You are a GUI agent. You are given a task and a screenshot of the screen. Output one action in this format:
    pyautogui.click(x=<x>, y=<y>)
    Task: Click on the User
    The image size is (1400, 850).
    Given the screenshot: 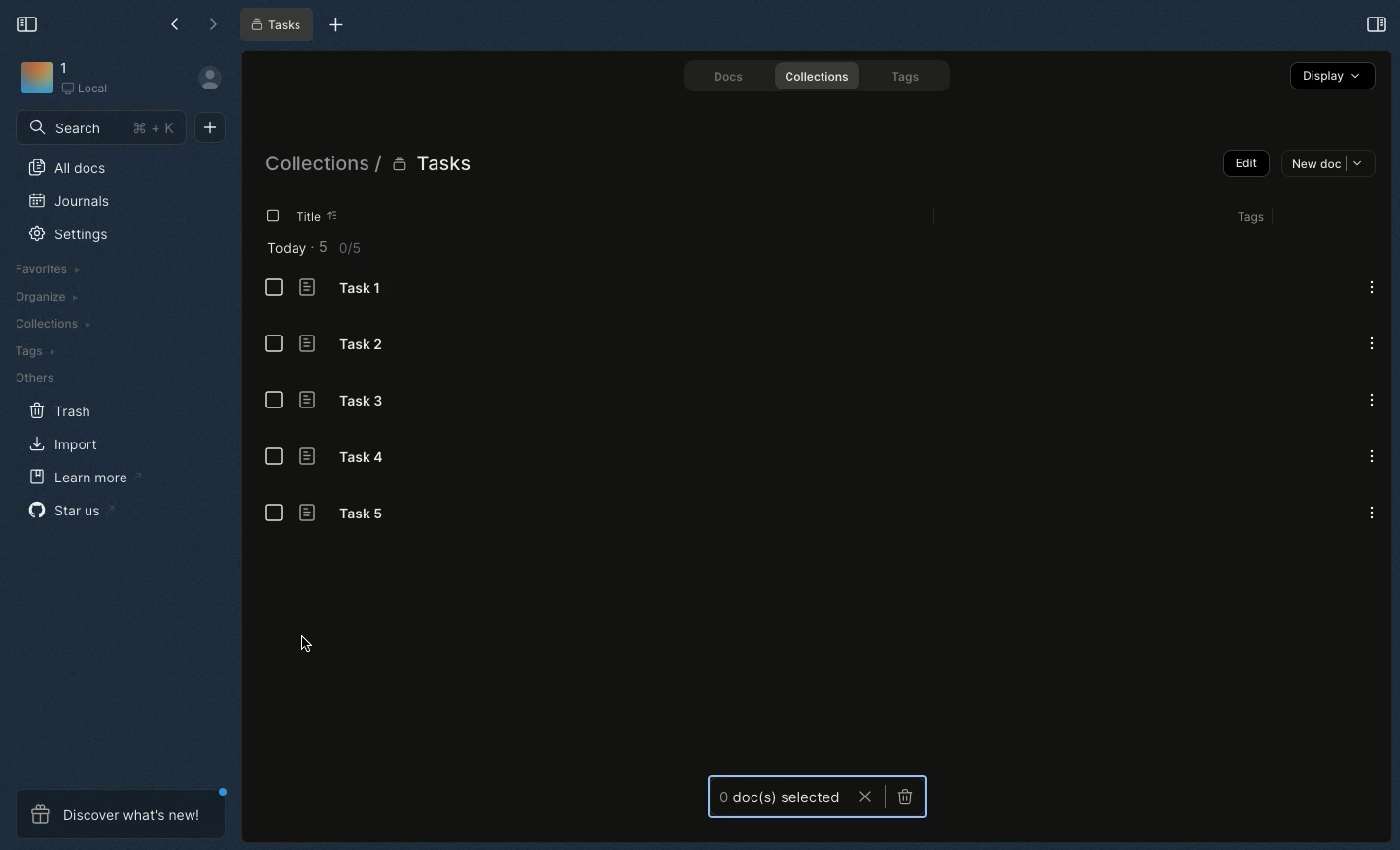 What is the action you would take?
    pyautogui.click(x=211, y=81)
    